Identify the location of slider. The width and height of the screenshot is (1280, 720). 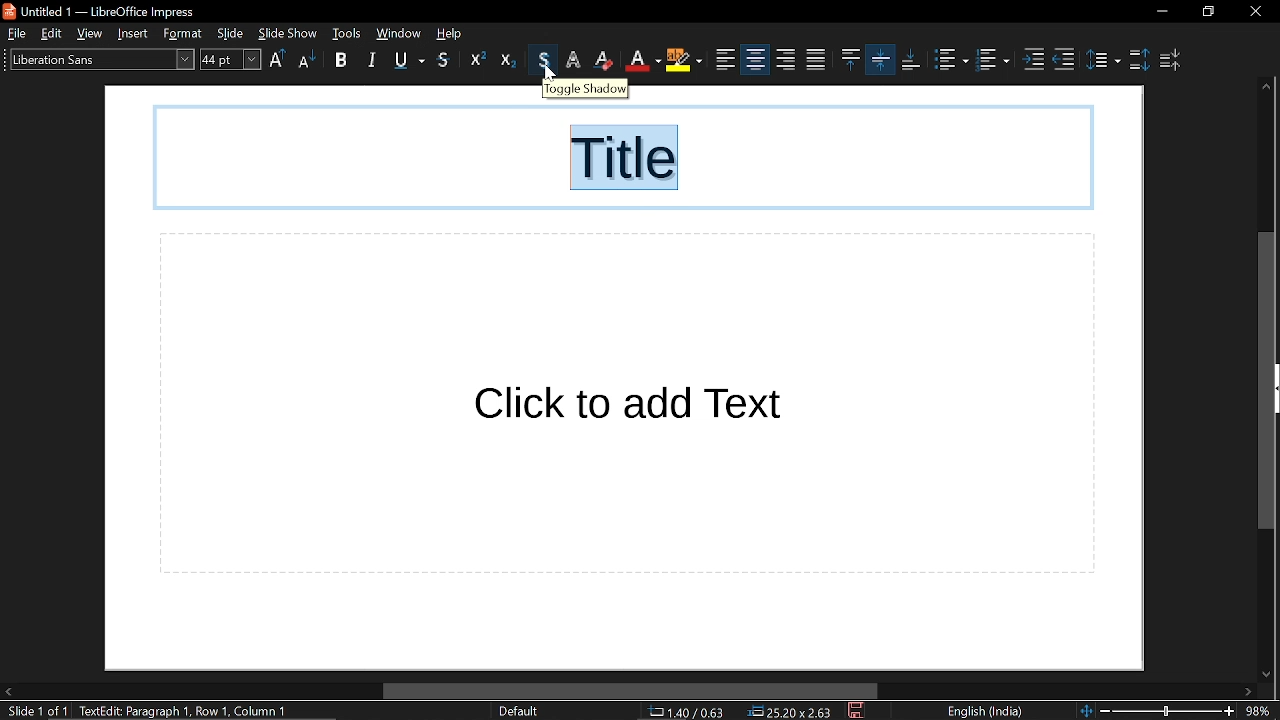
(1168, 709).